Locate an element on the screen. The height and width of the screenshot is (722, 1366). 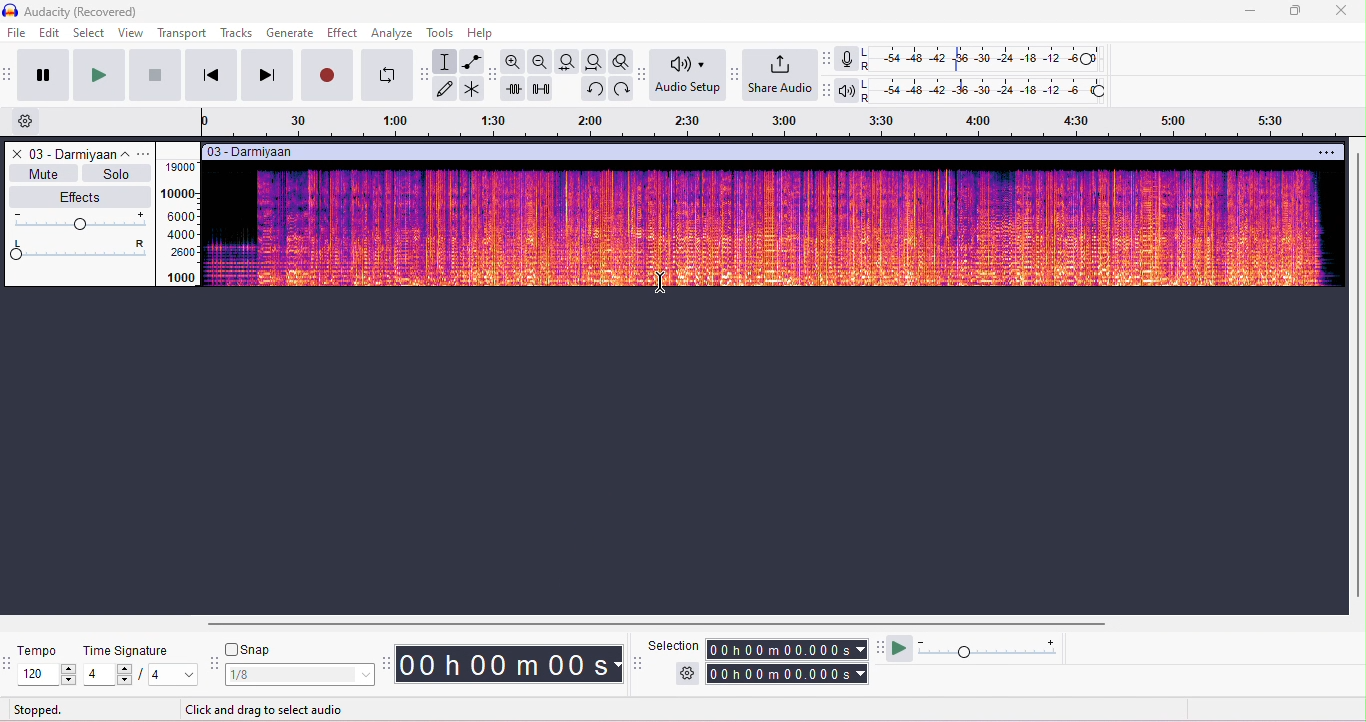
playback meter tool bar is located at coordinates (828, 90).